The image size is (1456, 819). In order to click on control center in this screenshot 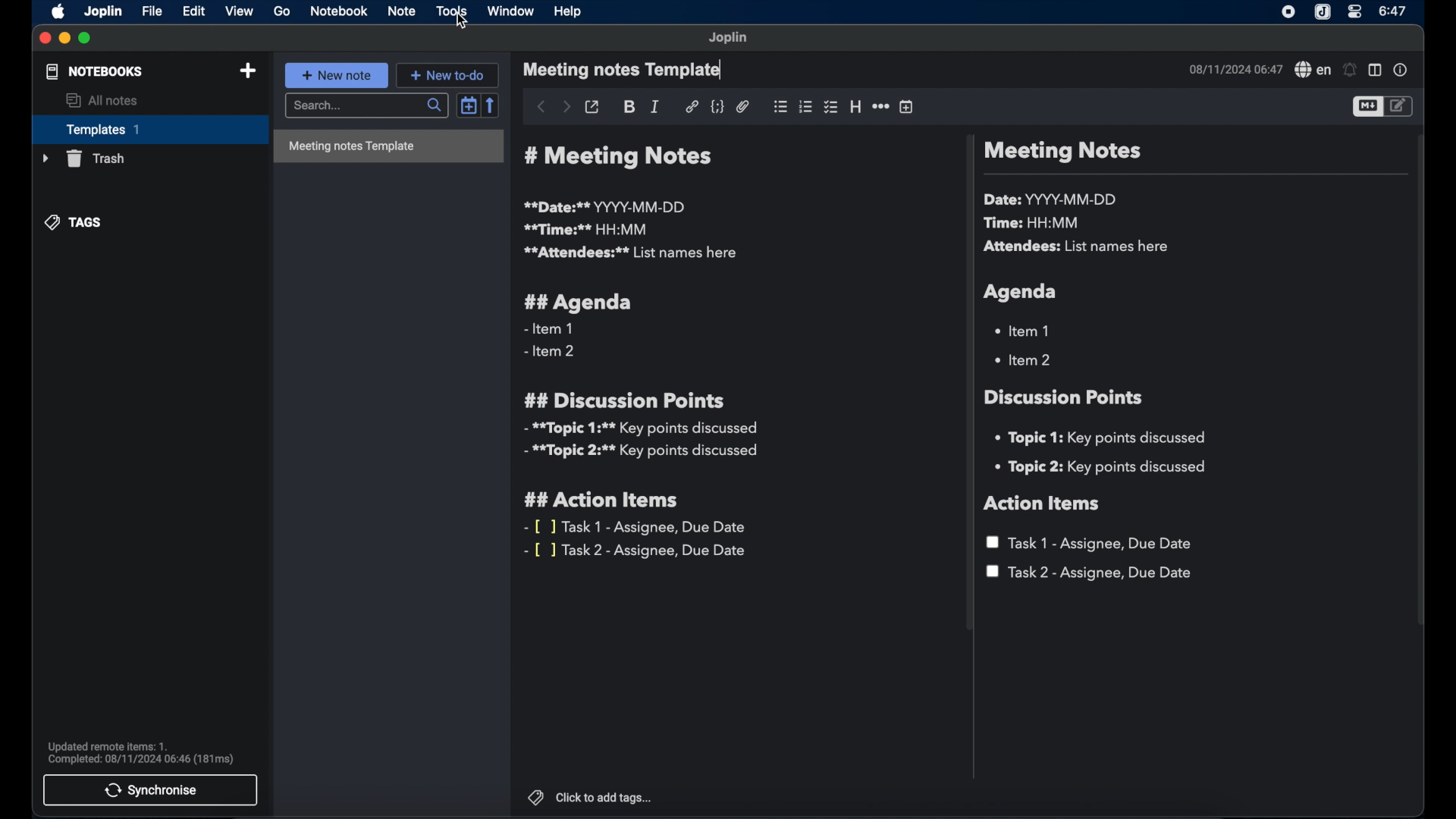, I will do `click(1355, 13)`.